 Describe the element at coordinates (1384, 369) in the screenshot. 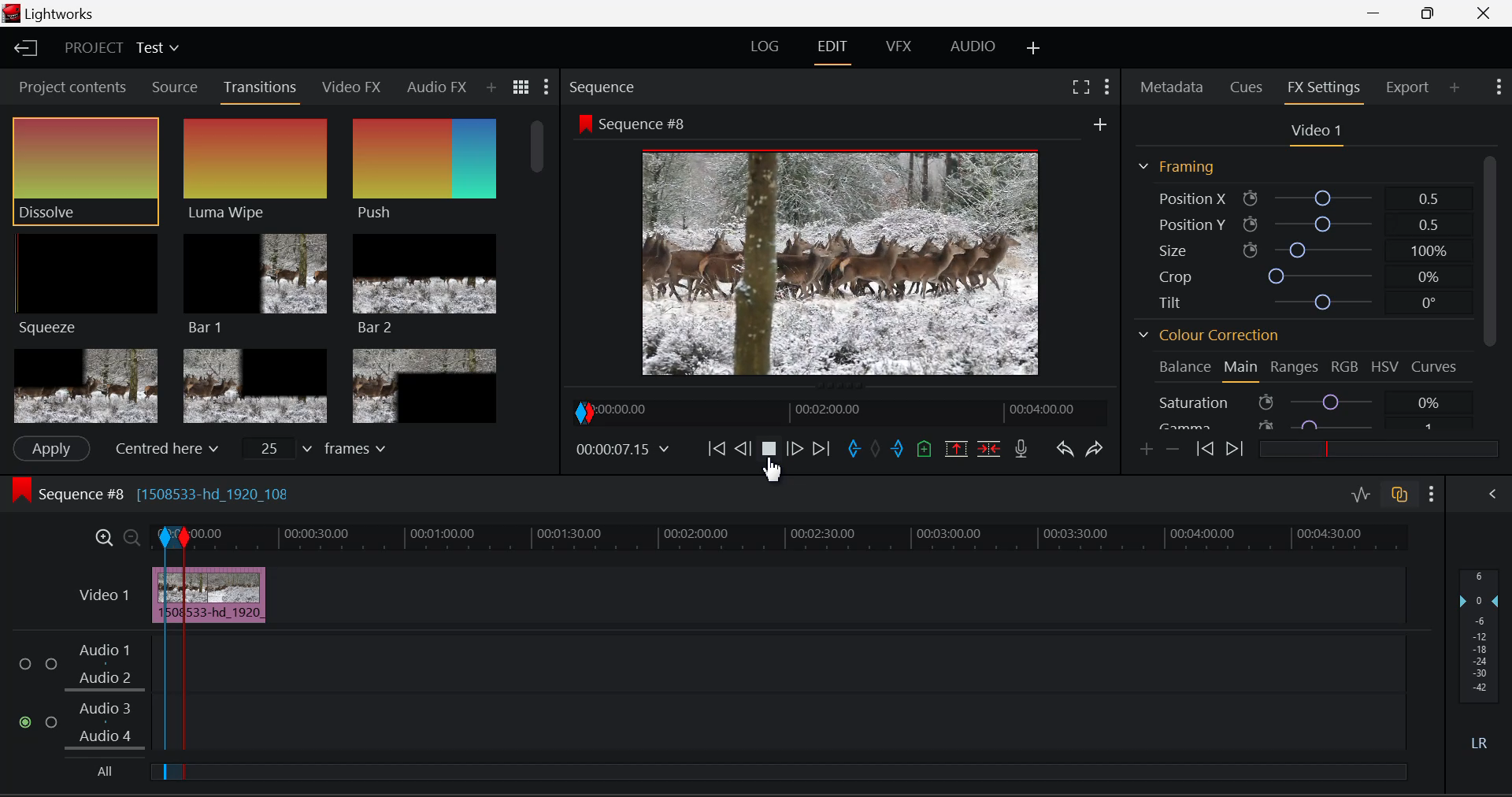

I see `HSV` at that location.